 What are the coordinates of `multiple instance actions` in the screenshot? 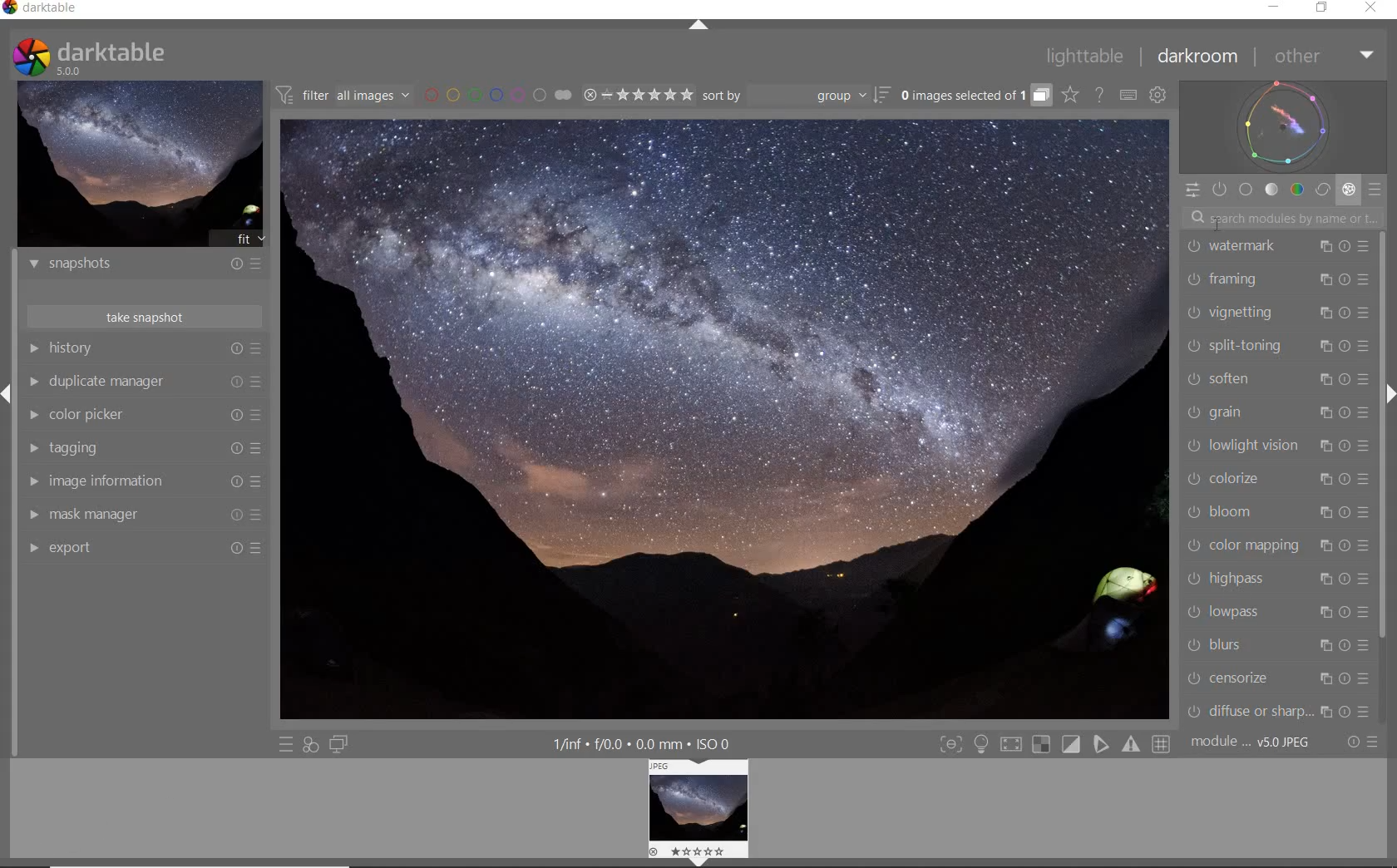 It's located at (1323, 611).